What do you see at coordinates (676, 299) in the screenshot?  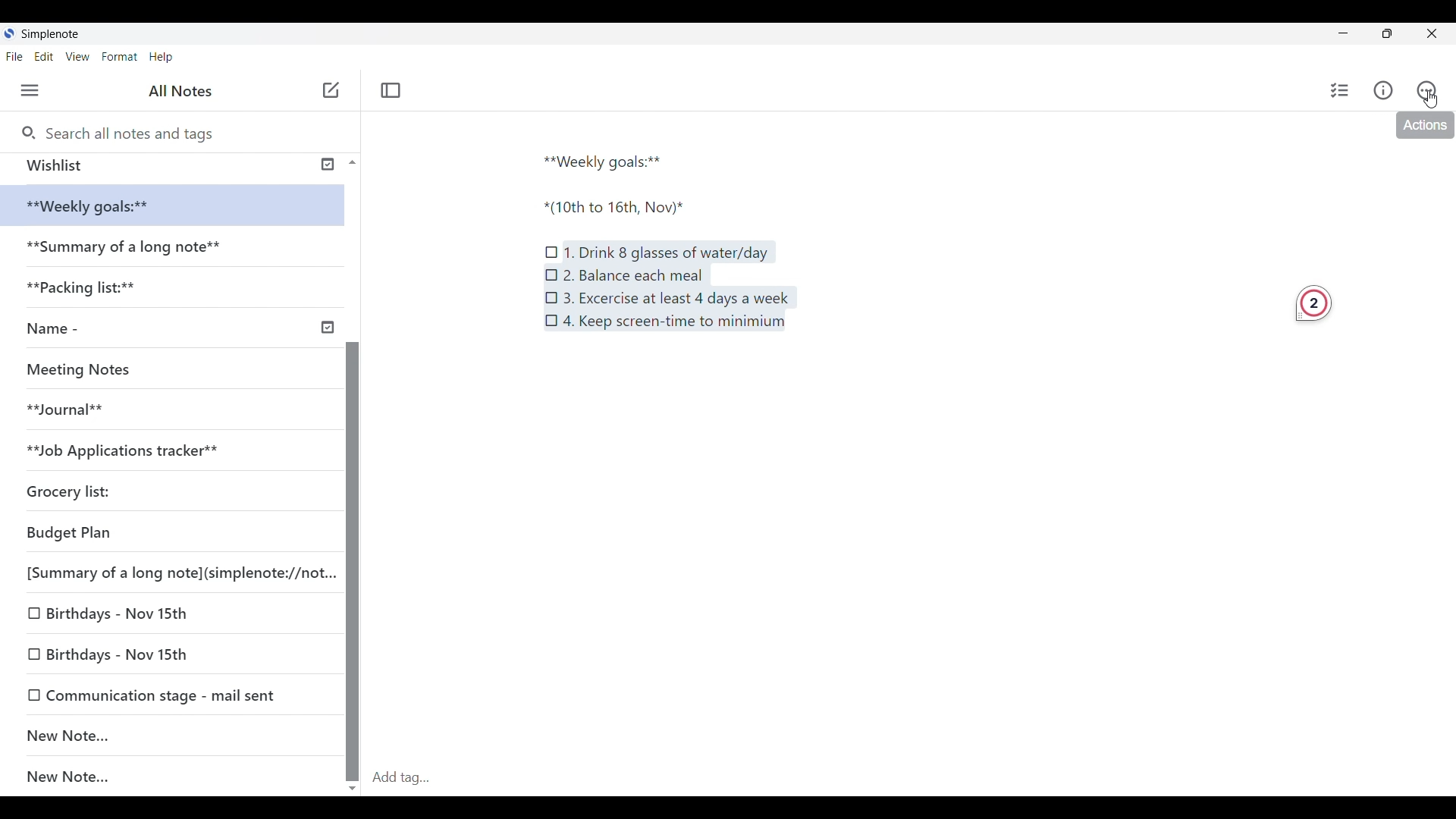 I see `3. Excercise at least 4 days a week` at bounding box center [676, 299].